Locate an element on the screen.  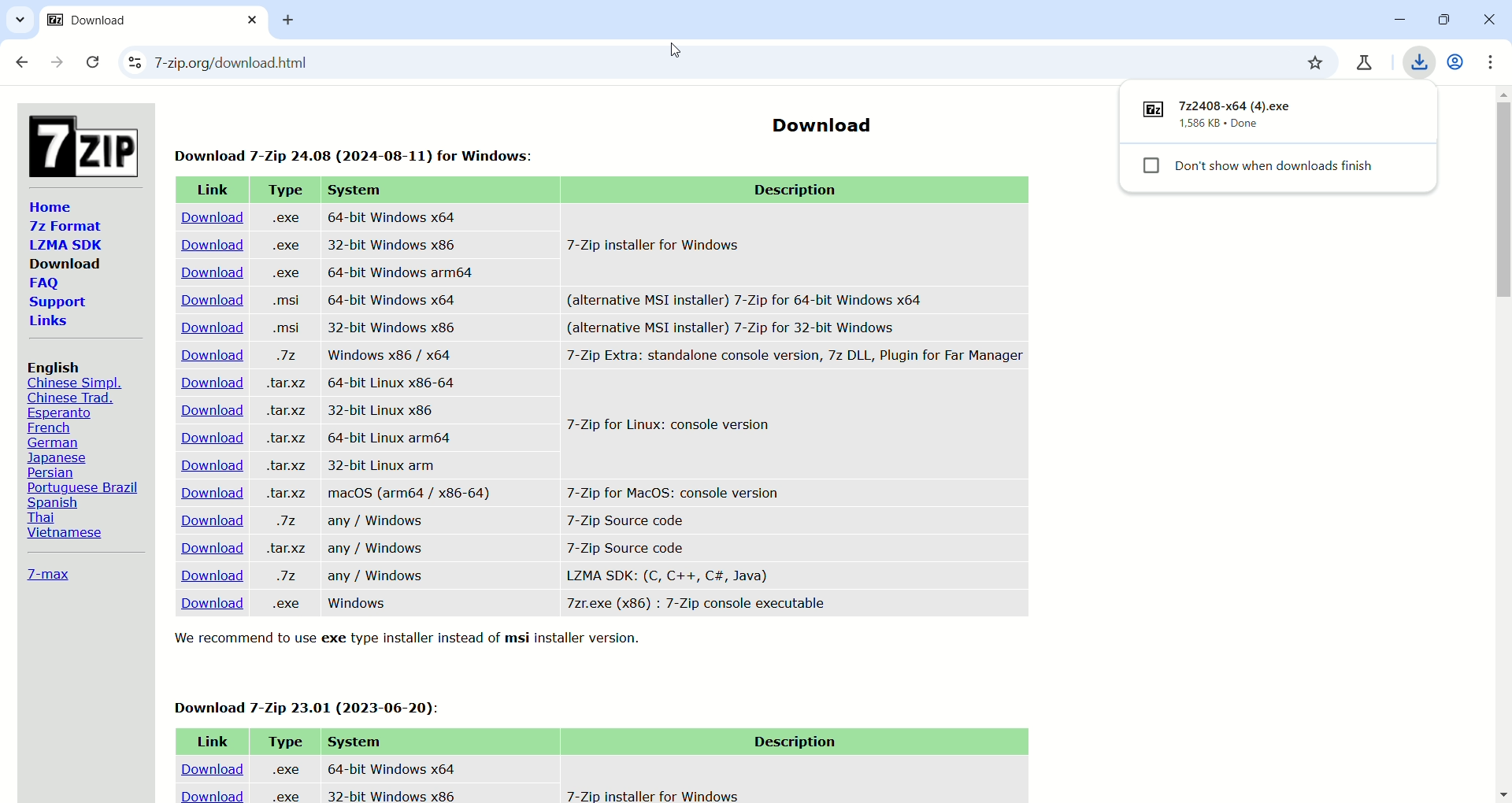
Download is located at coordinates (211, 273).